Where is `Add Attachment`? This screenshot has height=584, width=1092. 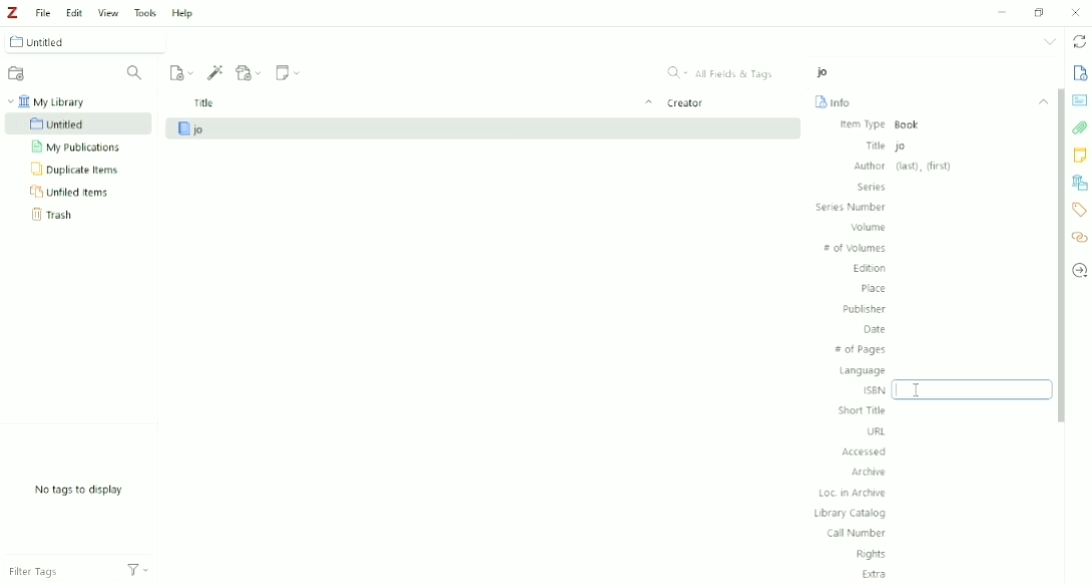
Add Attachment is located at coordinates (250, 72).